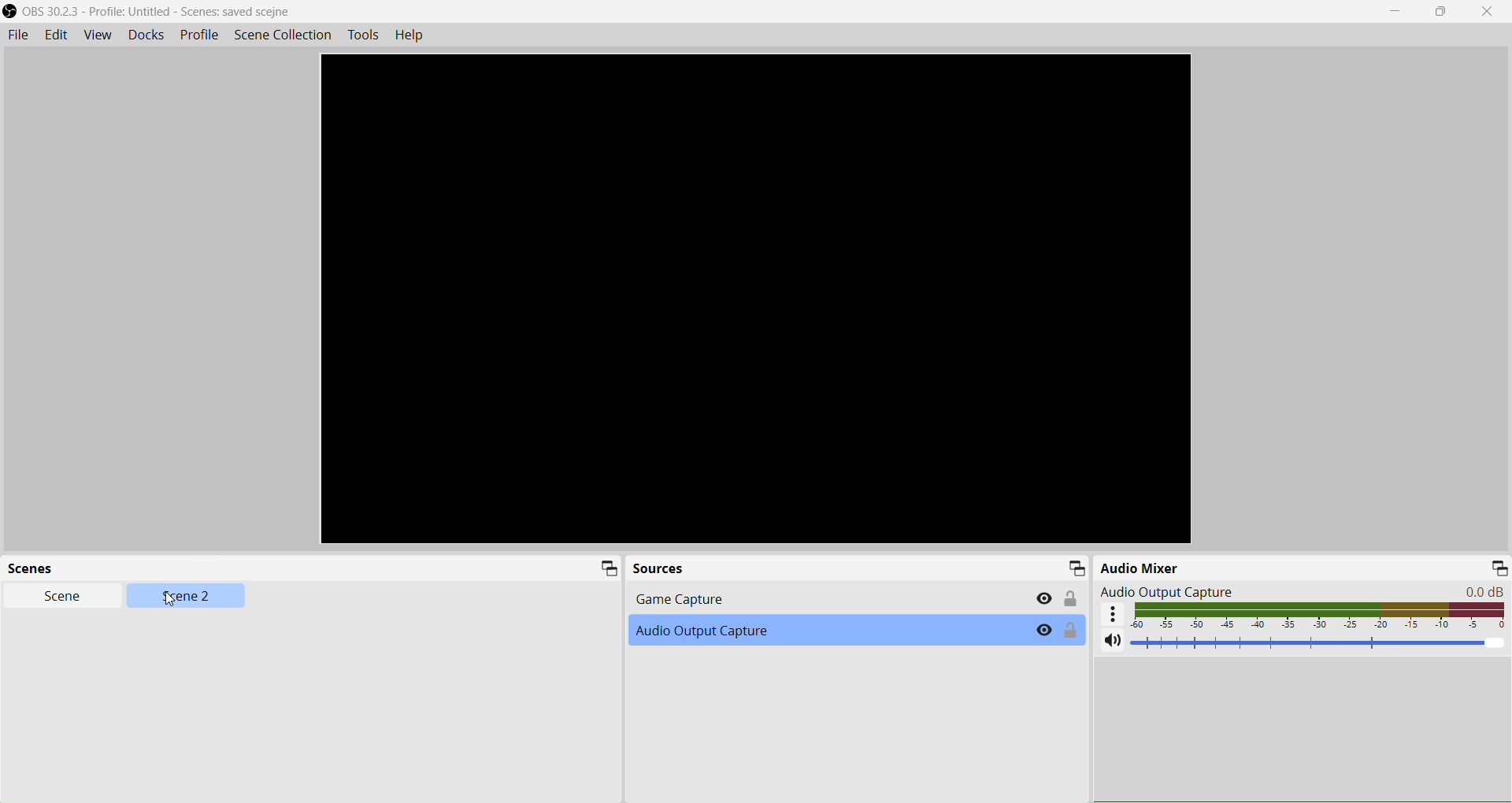 The height and width of the screenshot is (803, 1512). Describe the element at coordinates (1046, 598) in the screenshot. I see `Eye` at that location.